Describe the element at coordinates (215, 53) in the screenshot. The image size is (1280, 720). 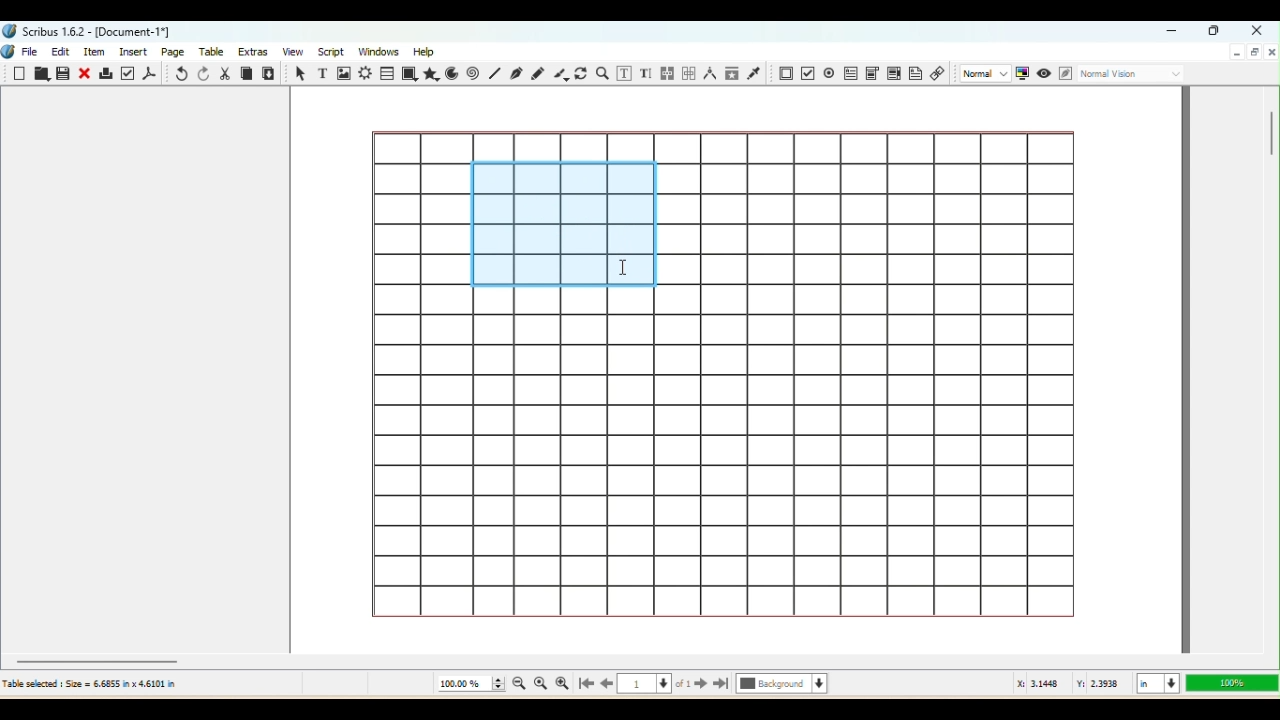
I see `Table` at that location.